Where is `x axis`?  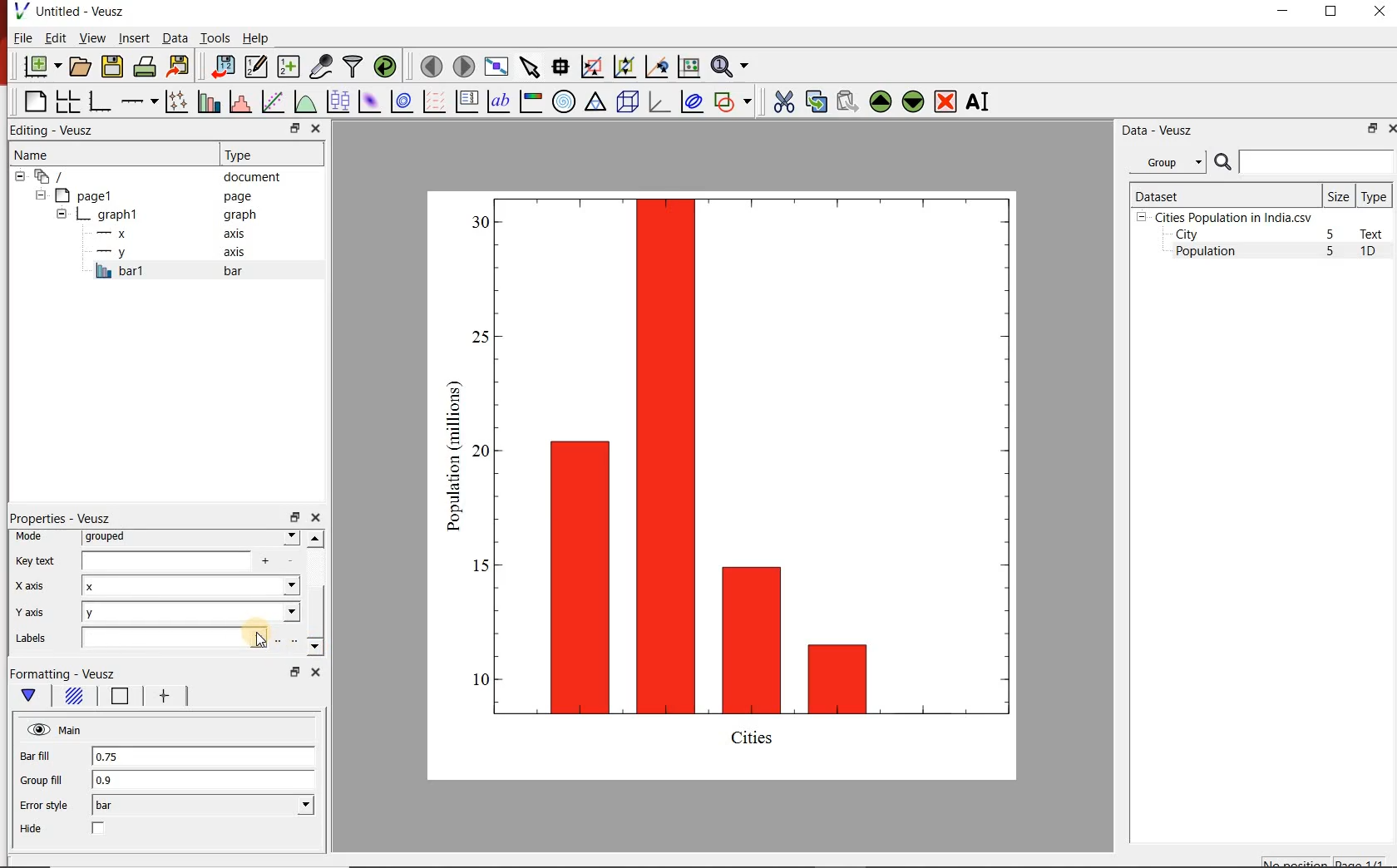
x axis is located at coordinates (35, 587).